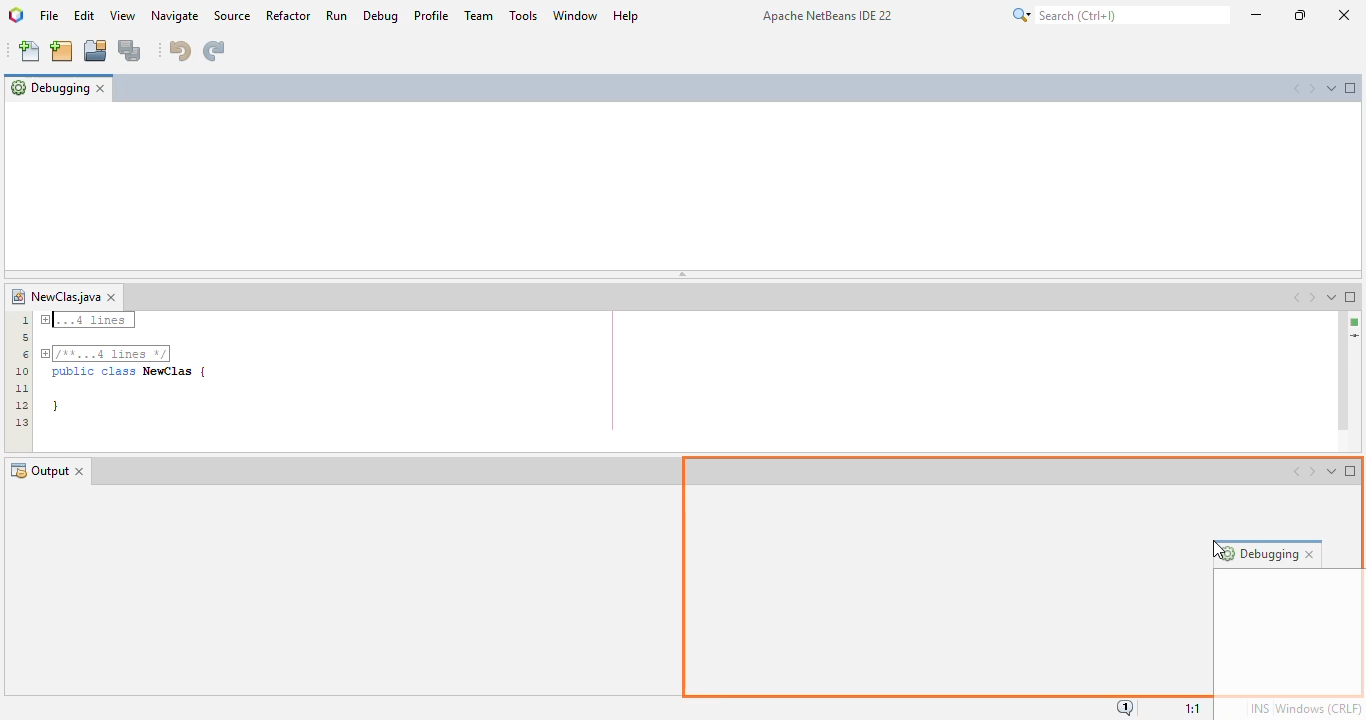 Image resolution: width=1366 pixels, height=720 pixels. I want to click on Docking area, so click(1020, 574).